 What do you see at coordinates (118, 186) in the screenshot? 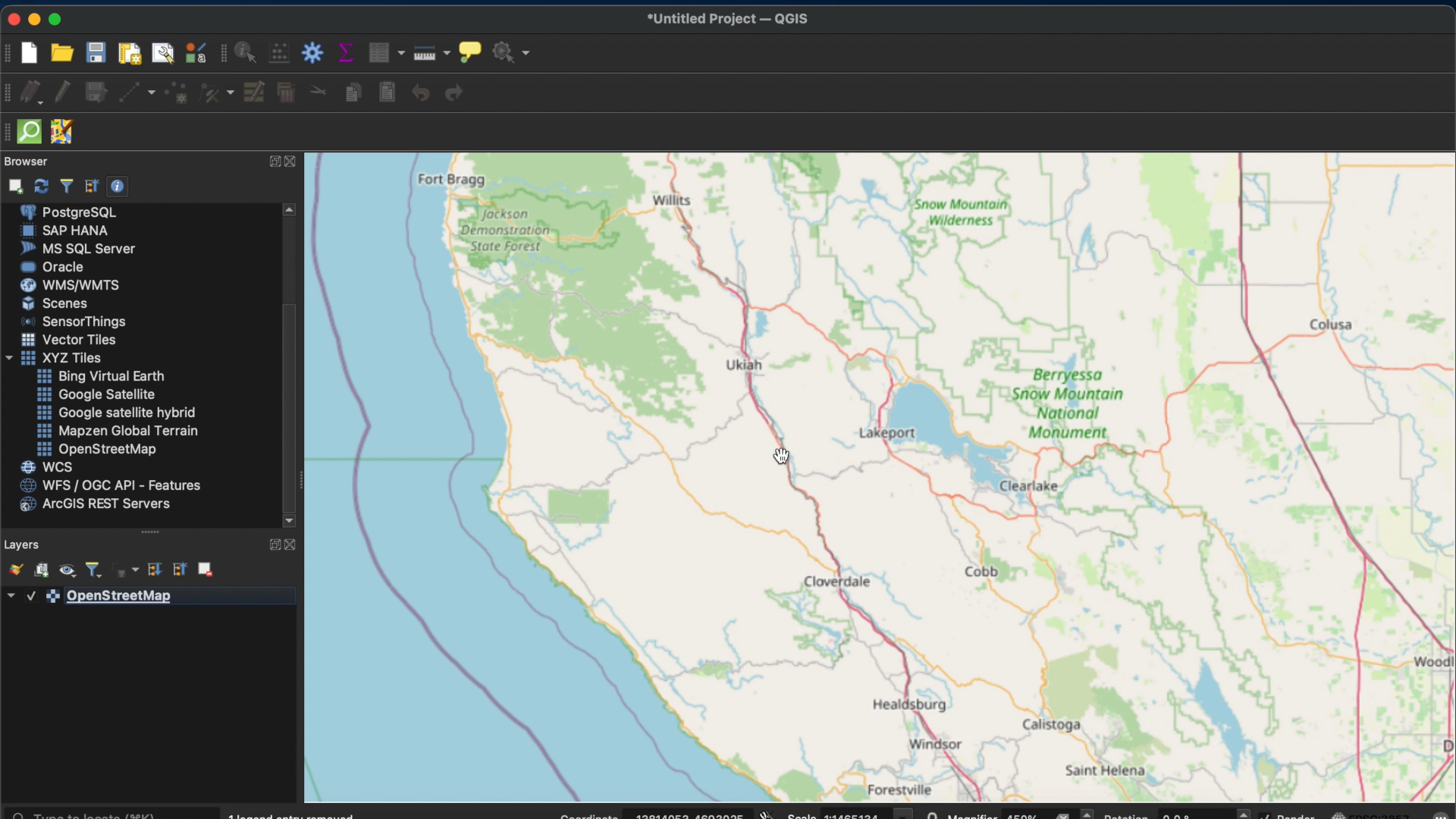
I see `enable/ disable properties widget` at bounding box center [118, 186].